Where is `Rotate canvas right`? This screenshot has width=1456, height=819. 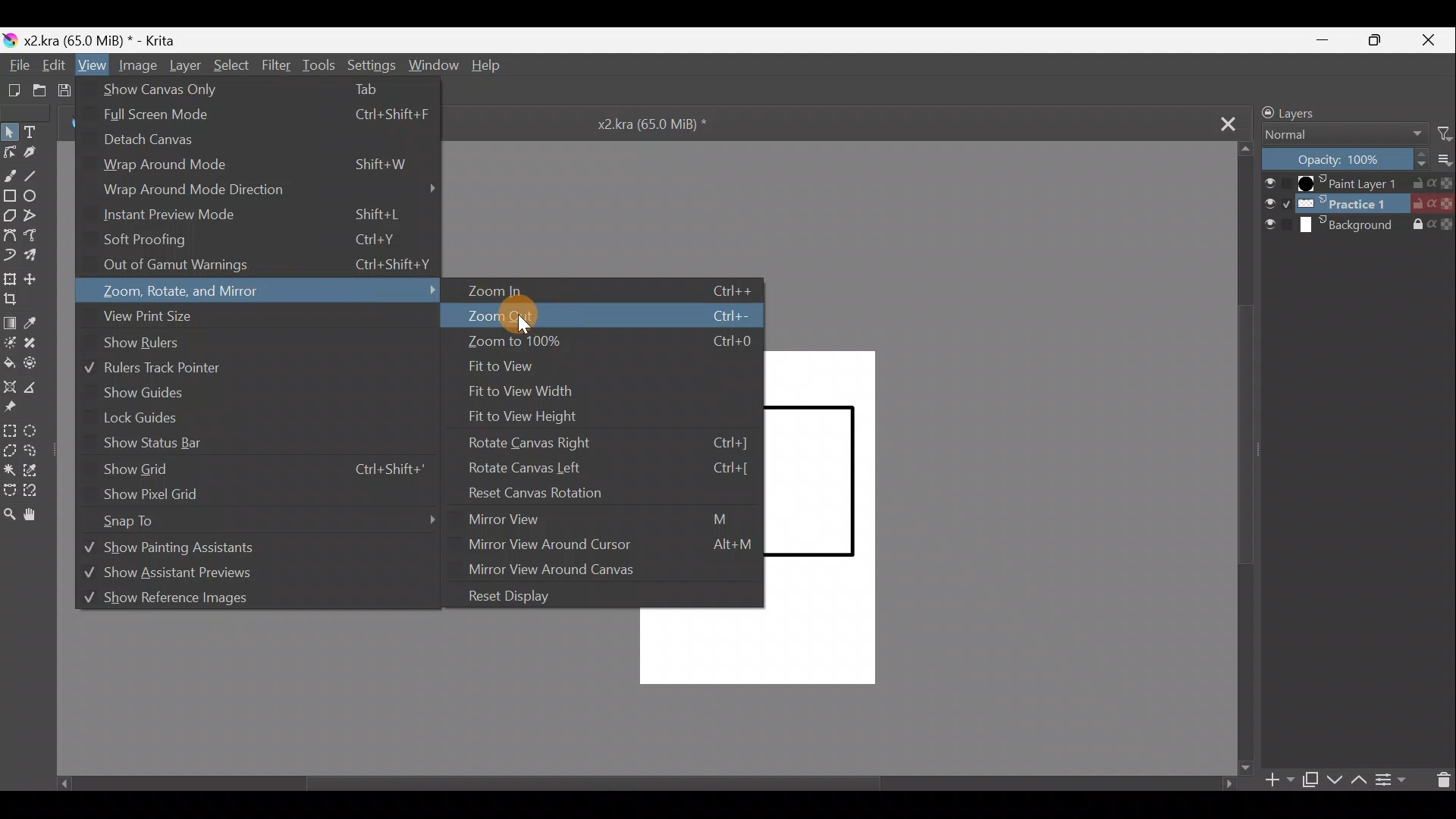 Rotate canvas right is located at coordinates (612, 441).